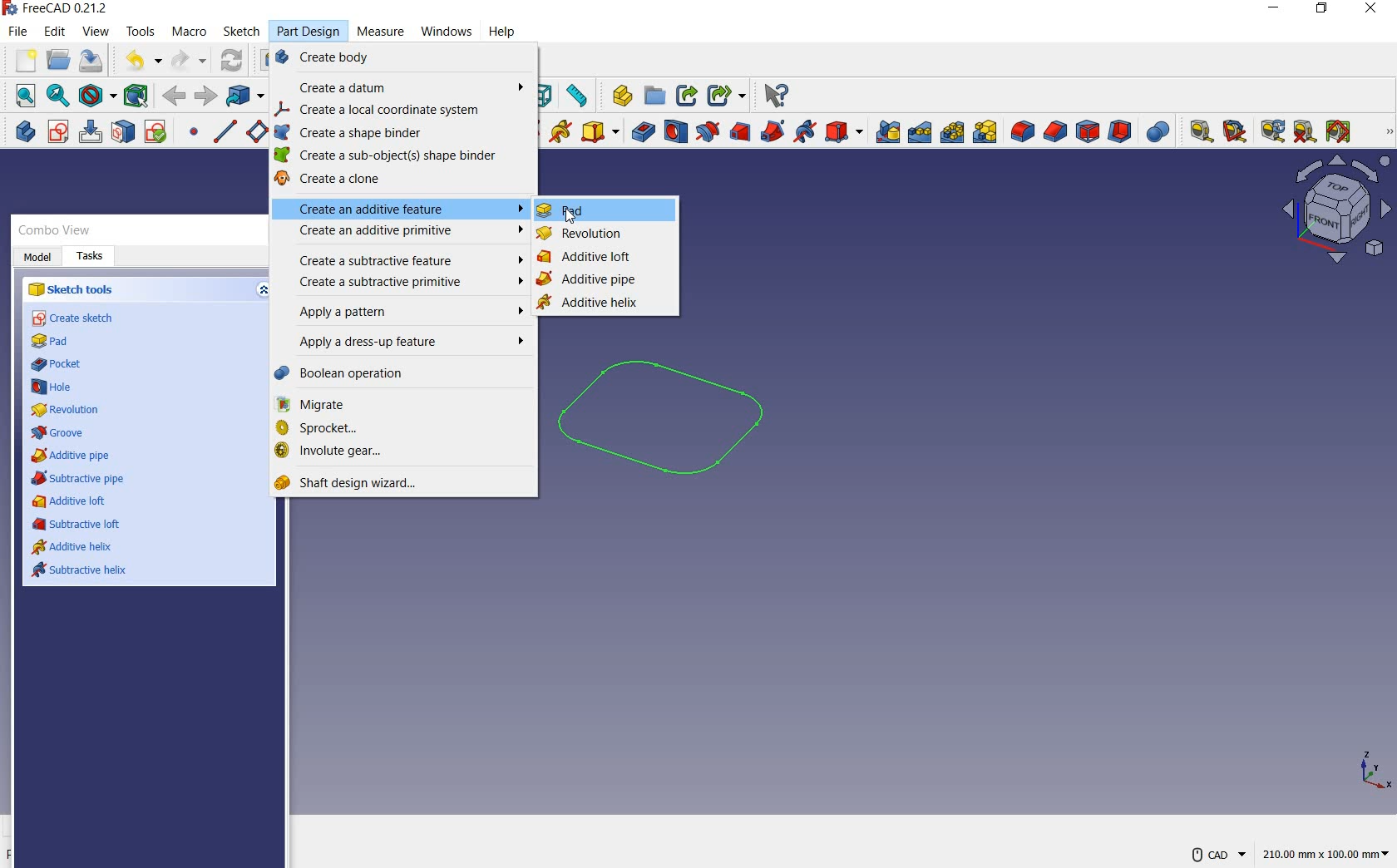 The height and width of the screenshot is (868, 1397). What do you see at coordinates (157, 133) in the screenshot?
I see `validate sketch` at bounding box center [157, 133].